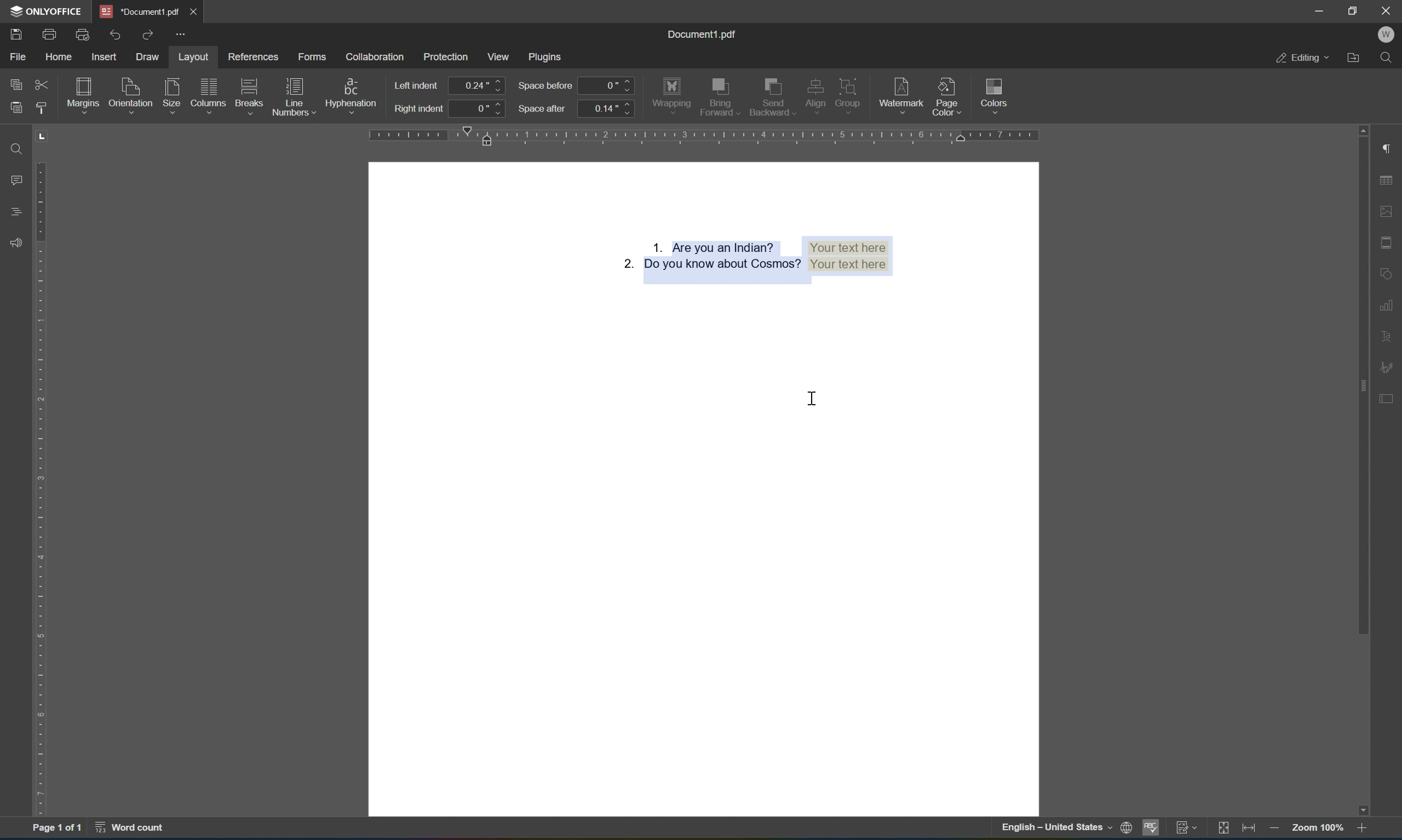 This screenshot has width=1402, height=840. I want to click on image settings, so click(1391, 212).